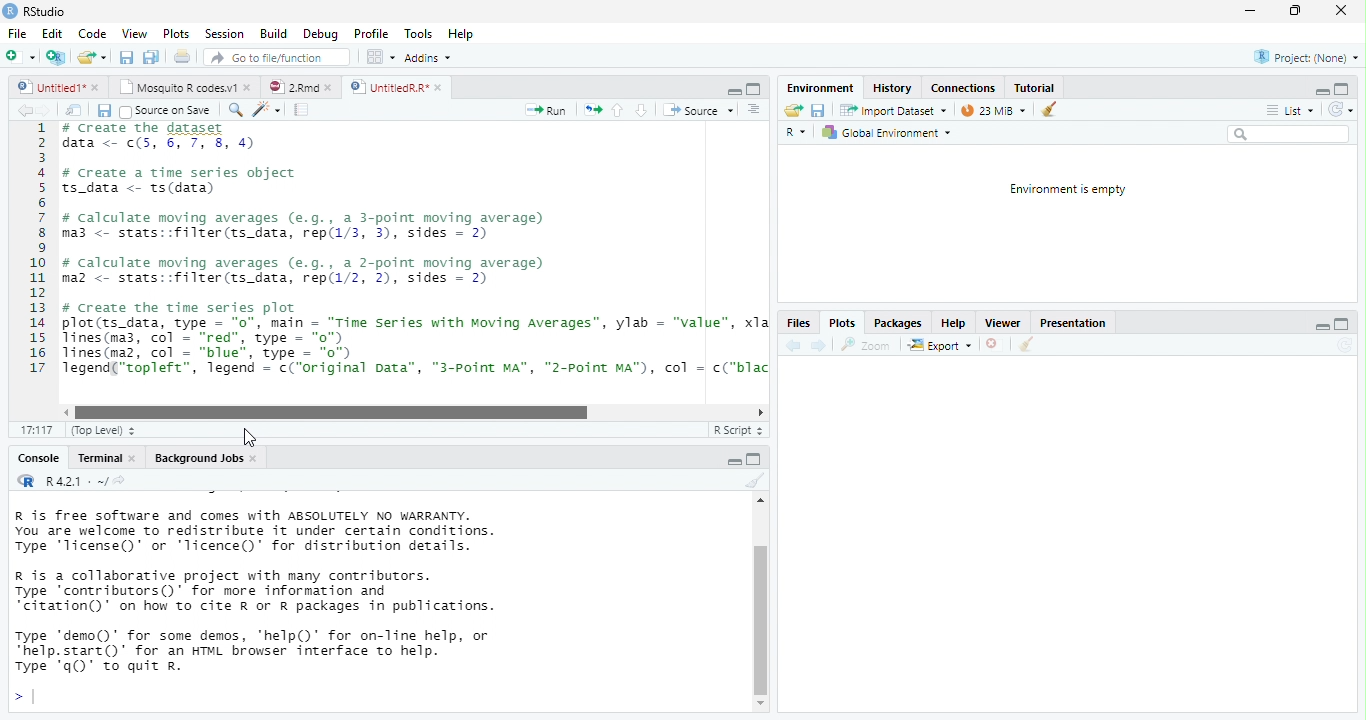  I want to click on scrollbar down, so click(761, 704).